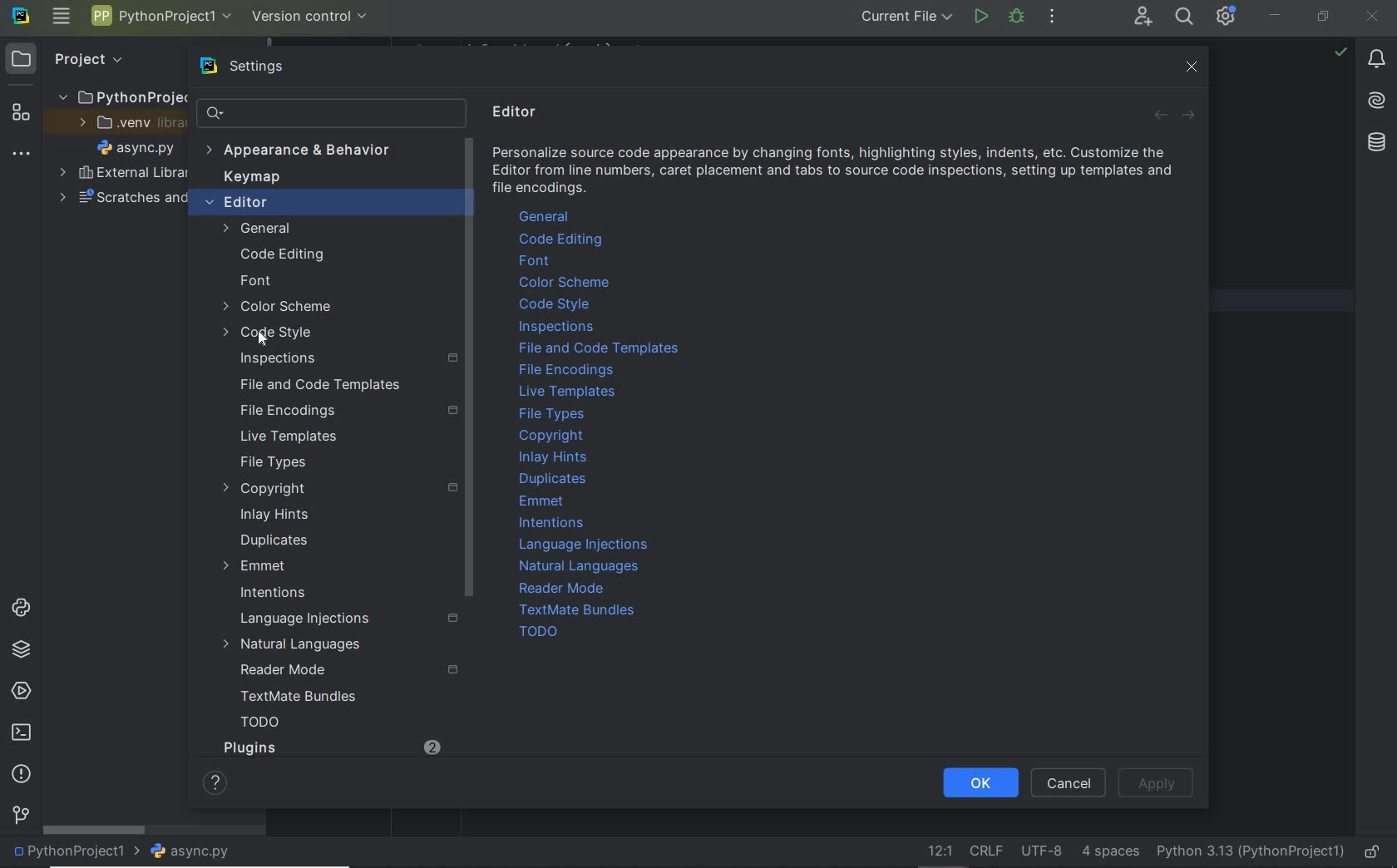 The image size is (1397, 868). What do you see at coordinates (254, 566) in the screenshot?
I see `Emmet` at bounding box center [254, 566].